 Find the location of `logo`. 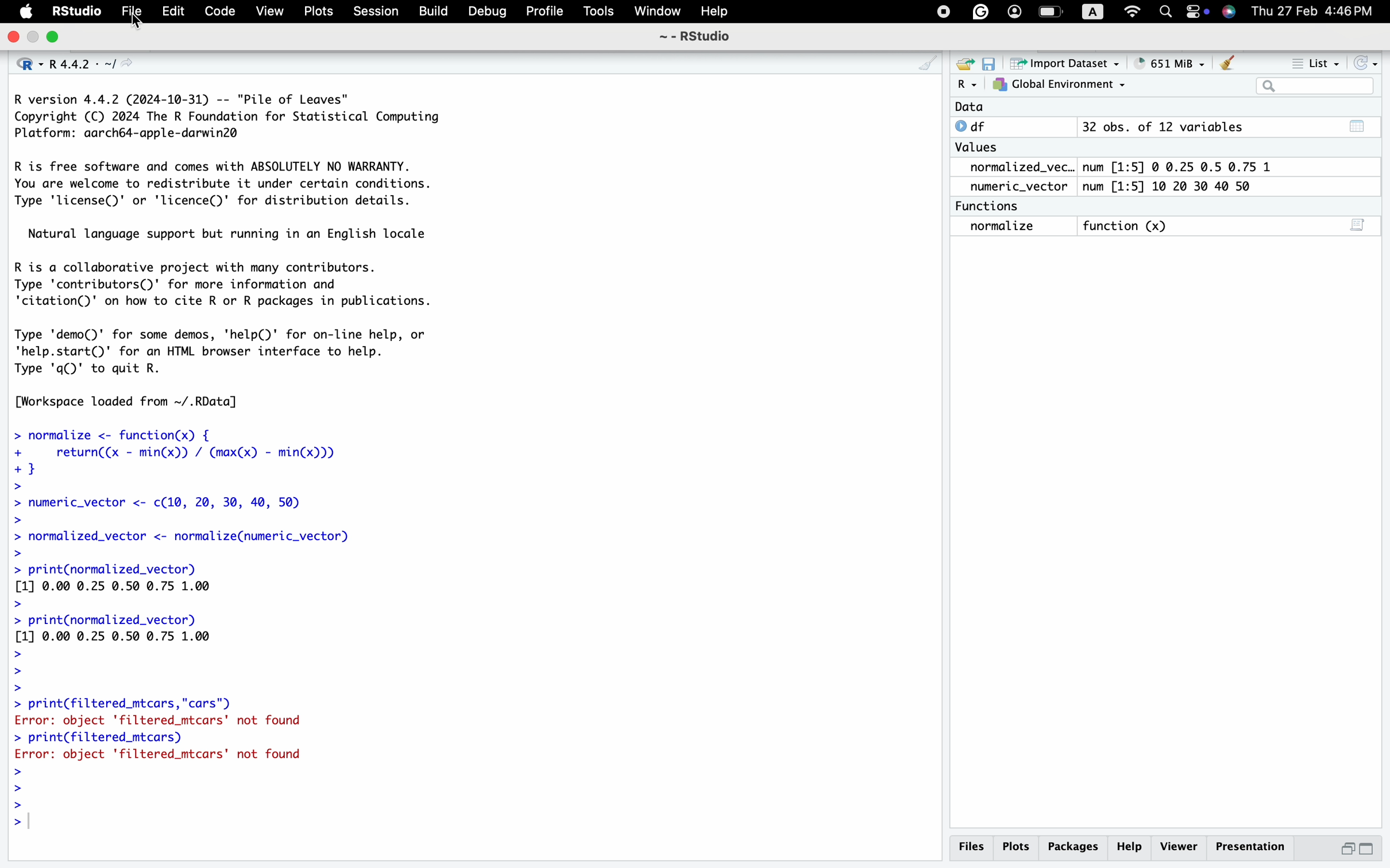

logo is located at coordinates (26, 12).